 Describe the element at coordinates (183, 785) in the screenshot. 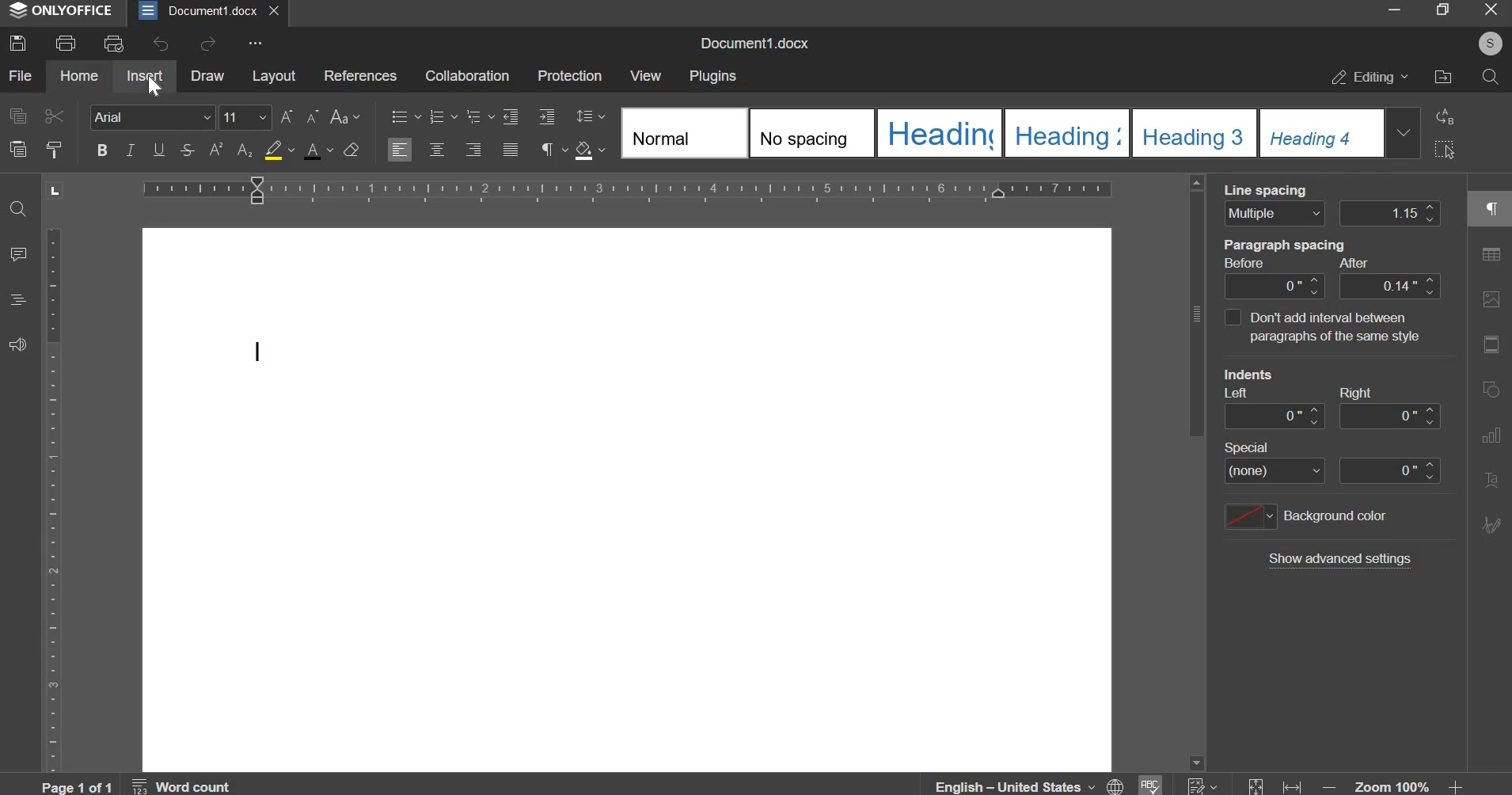

I see `word count` at that location.